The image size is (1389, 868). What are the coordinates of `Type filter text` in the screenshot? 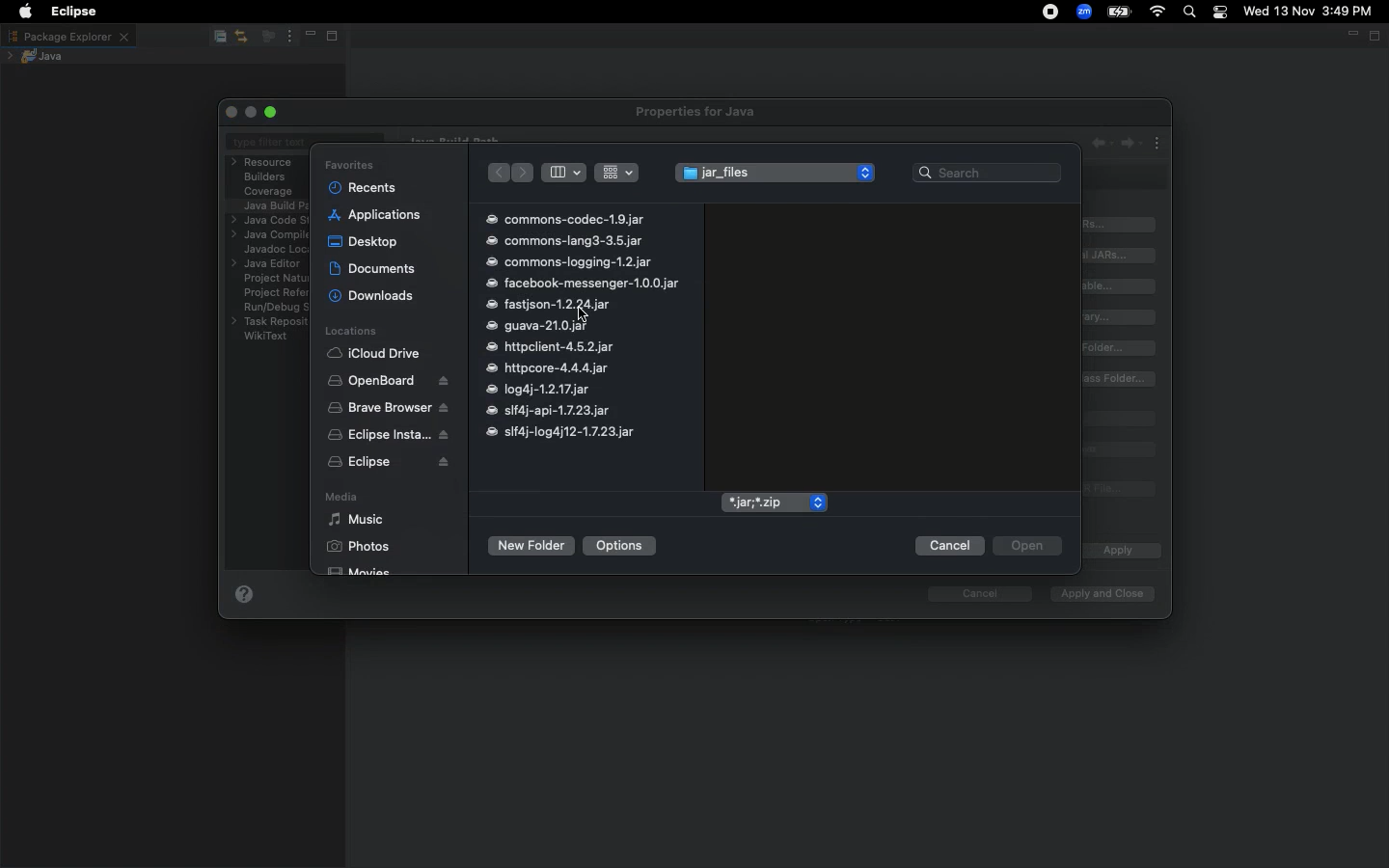 It's located at (270, 144).